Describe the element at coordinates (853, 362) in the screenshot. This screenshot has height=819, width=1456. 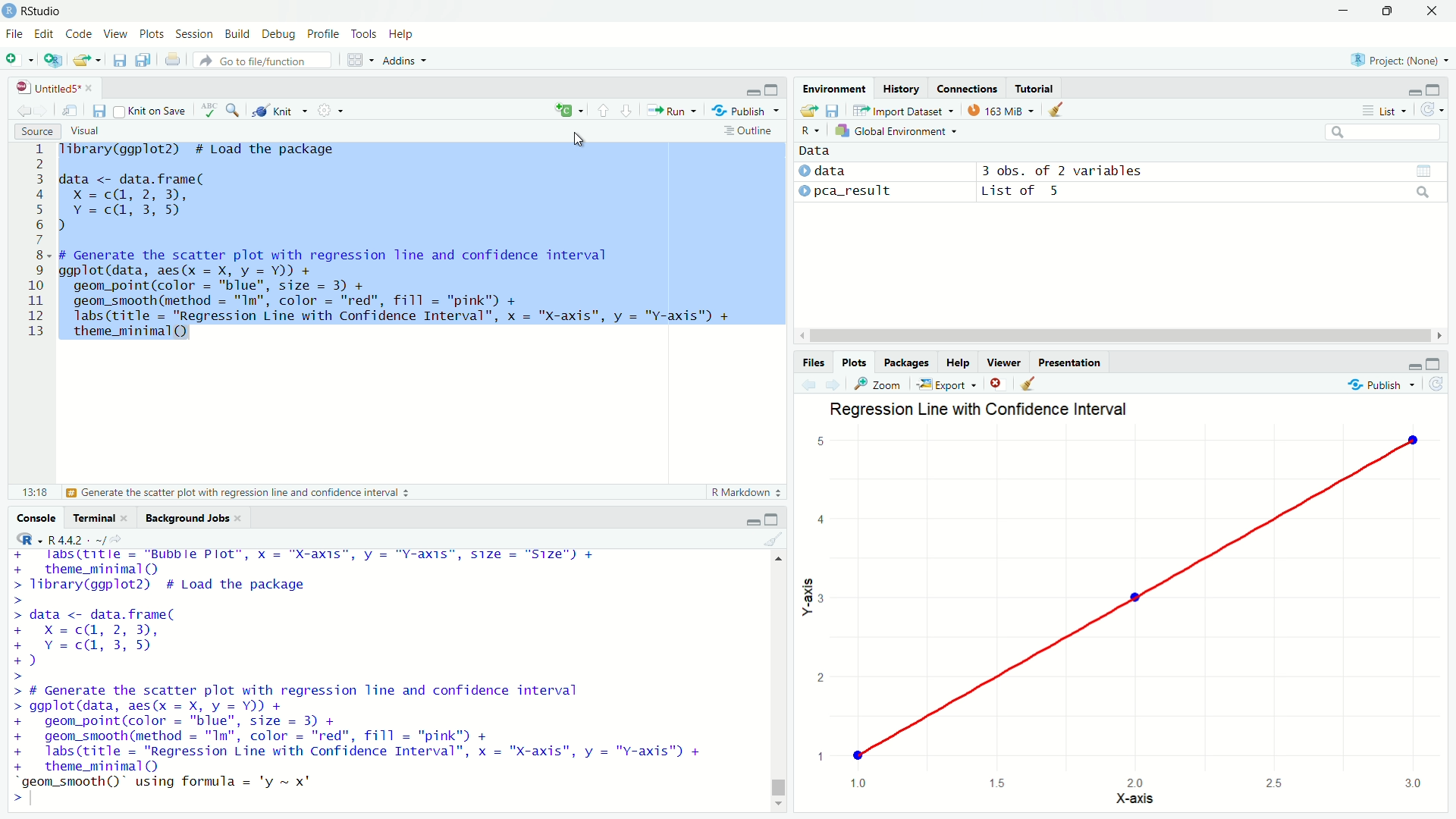
I see `Plots` at that location.